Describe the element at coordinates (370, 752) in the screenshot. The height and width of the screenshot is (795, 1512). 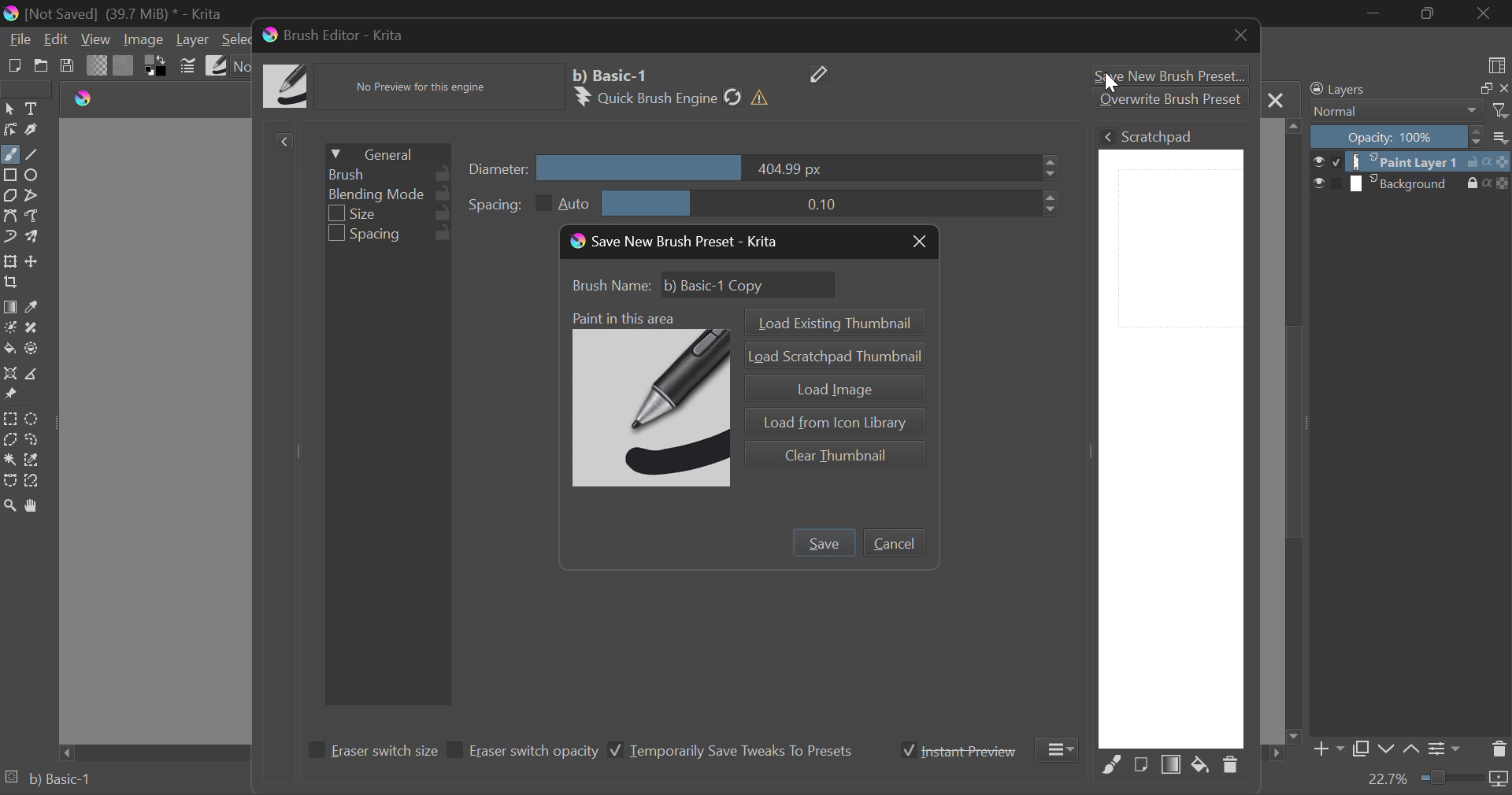
I see `Eraser switch size` at that location.